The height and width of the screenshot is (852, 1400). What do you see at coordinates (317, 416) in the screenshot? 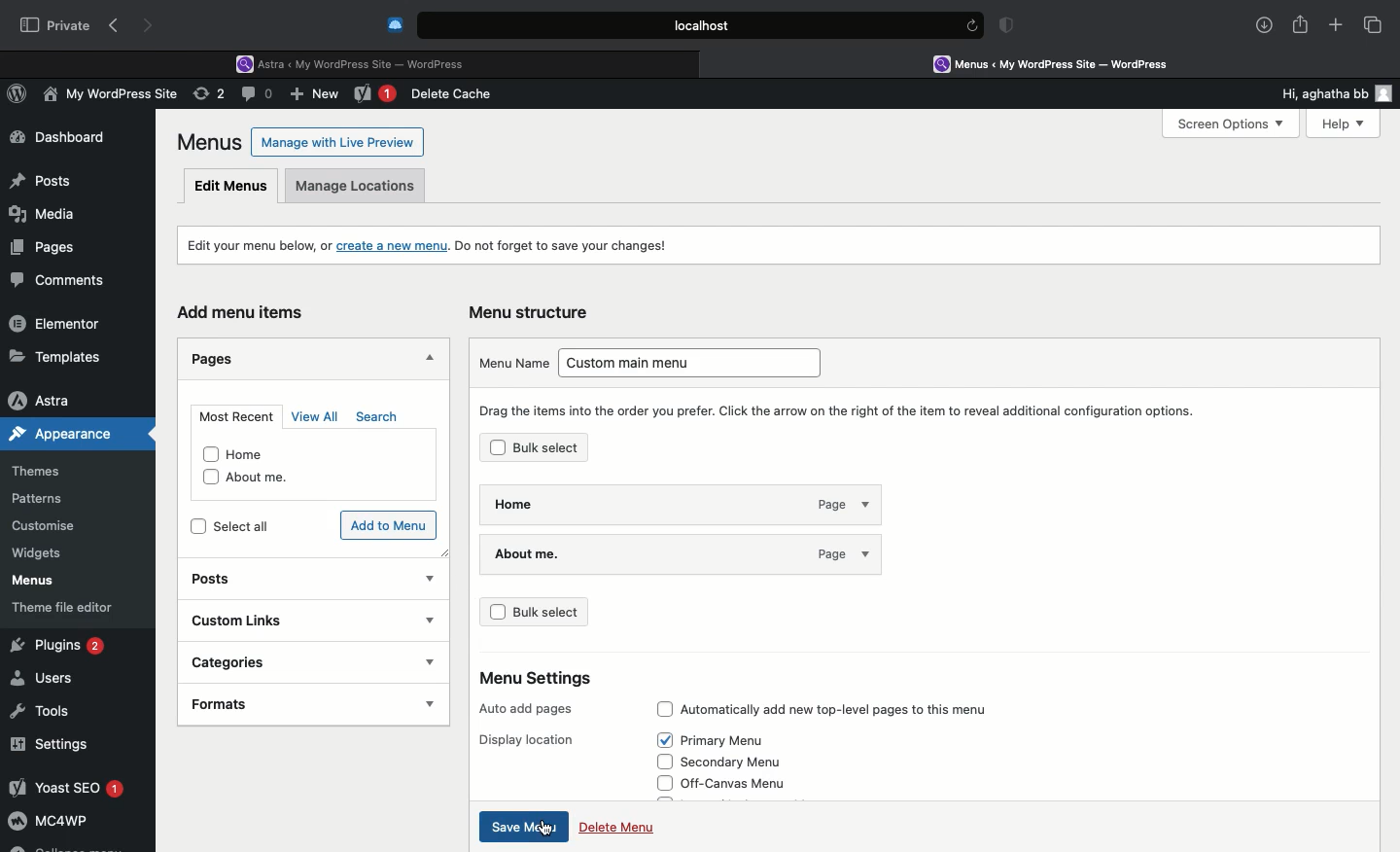
I see `View all` at bounding box center [317, 416].